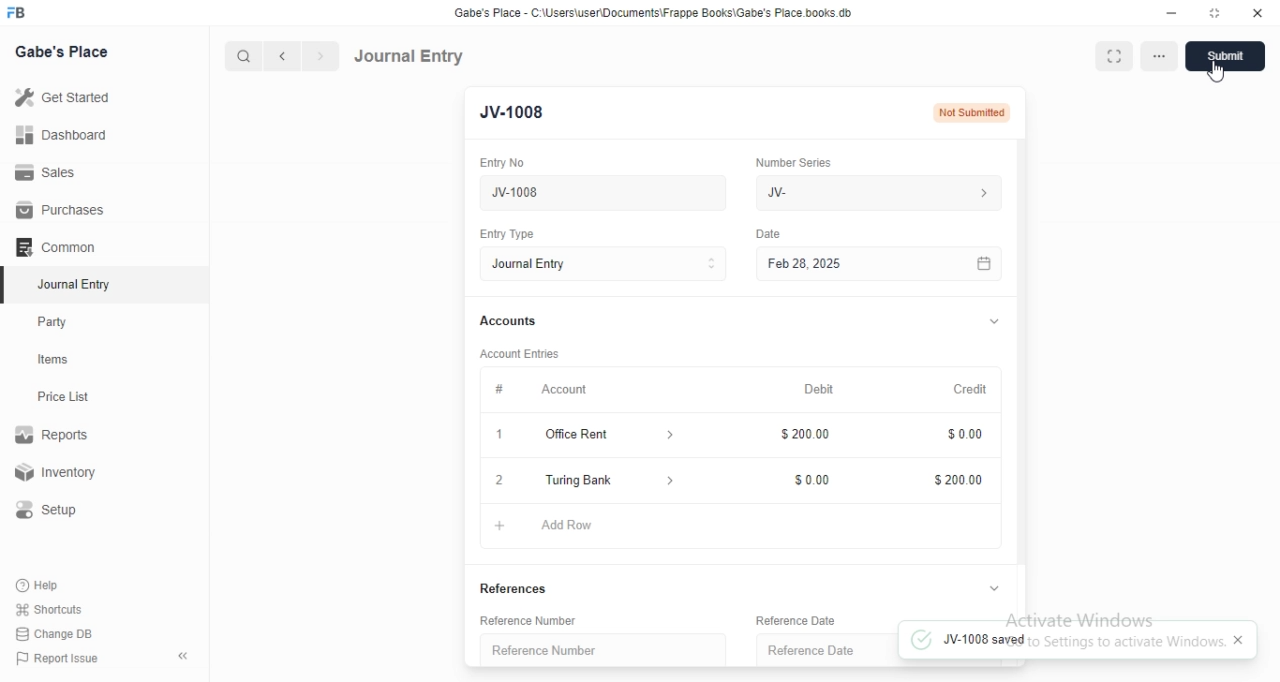 The image size is (1280, 682). Describe the element at coordinates (604, 266) in the screenshot. I see `Journal Entry` at that location.